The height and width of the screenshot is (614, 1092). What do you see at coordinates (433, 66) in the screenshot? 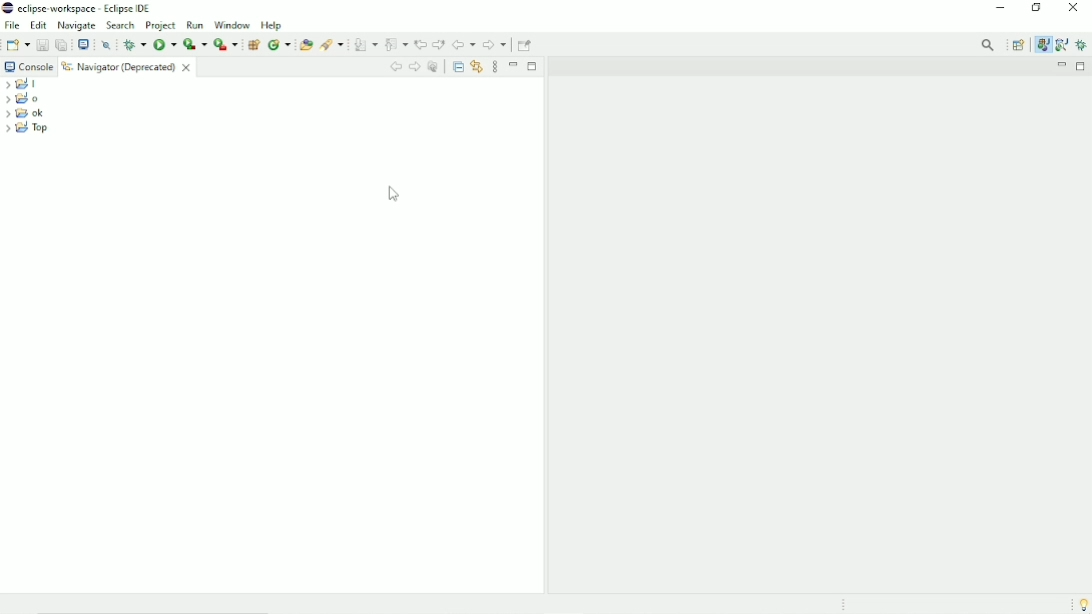
I see `Up` at bounding box center [433, 66].